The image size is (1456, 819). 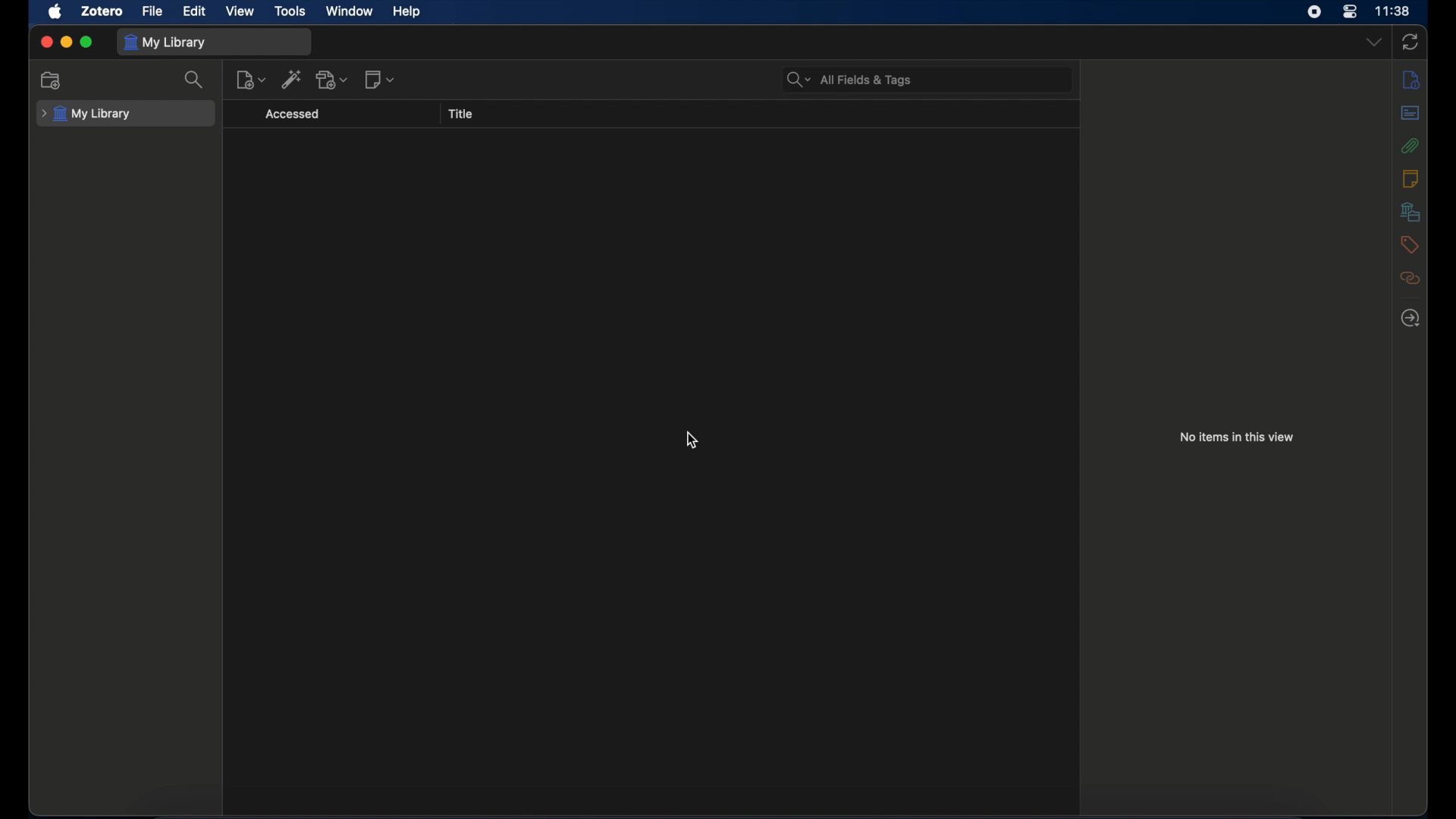 What do you see at coordinates (1393, 11) in the screenshot?
I see `time` at bounding box center [1393, 11].